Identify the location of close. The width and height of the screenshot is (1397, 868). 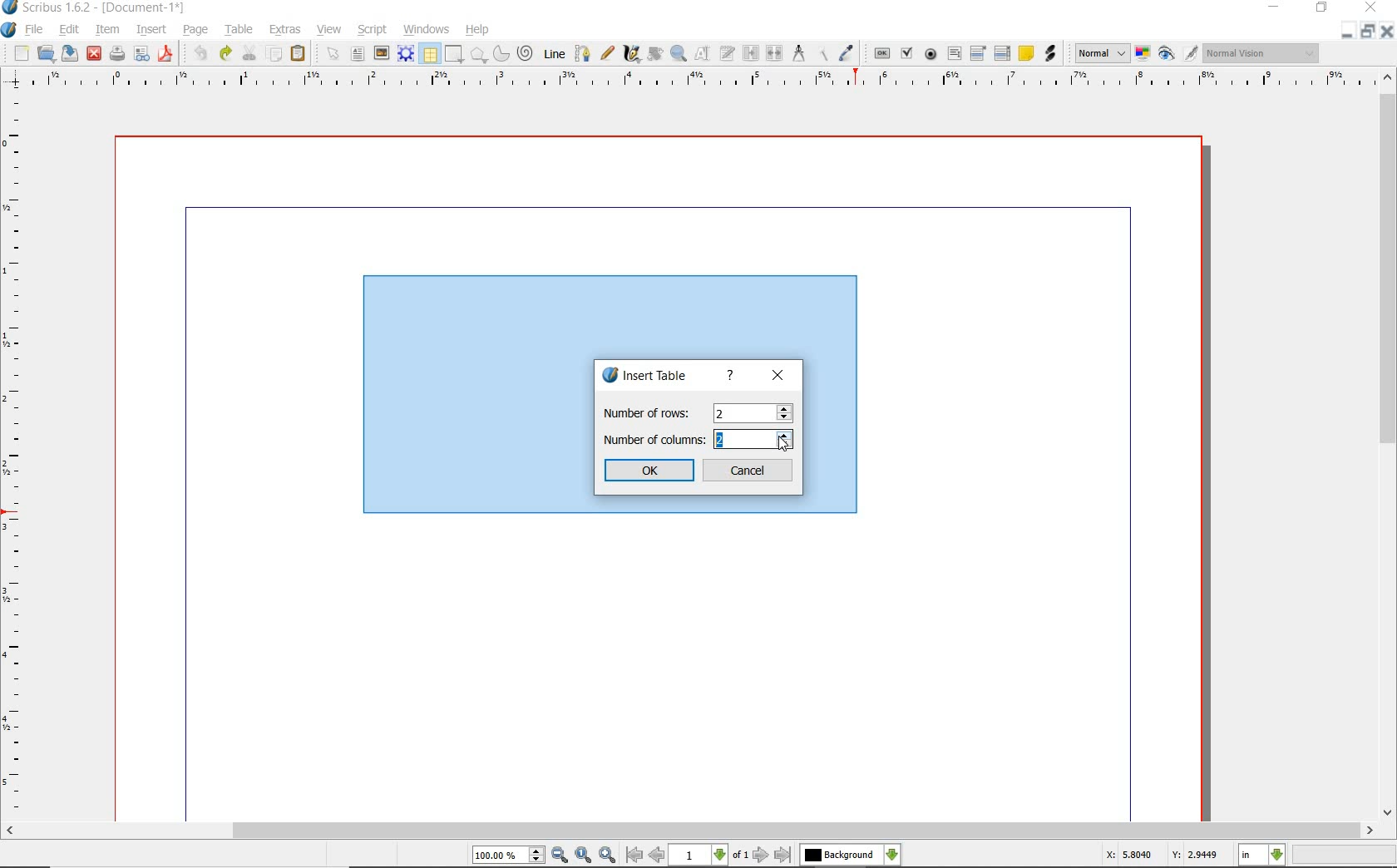
(93, 52).